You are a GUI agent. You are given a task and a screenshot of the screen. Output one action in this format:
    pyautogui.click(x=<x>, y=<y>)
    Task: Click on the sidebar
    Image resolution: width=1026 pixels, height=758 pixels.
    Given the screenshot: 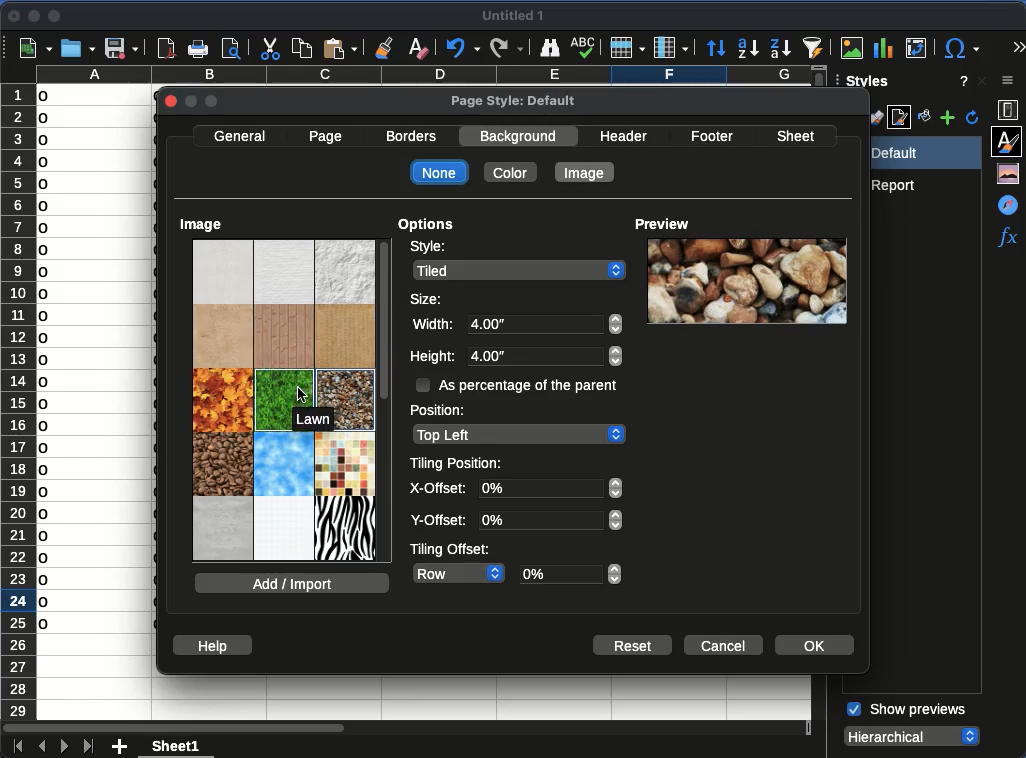 What is the action you would take?
    pyautogui.click(x=1009, y=82)
    